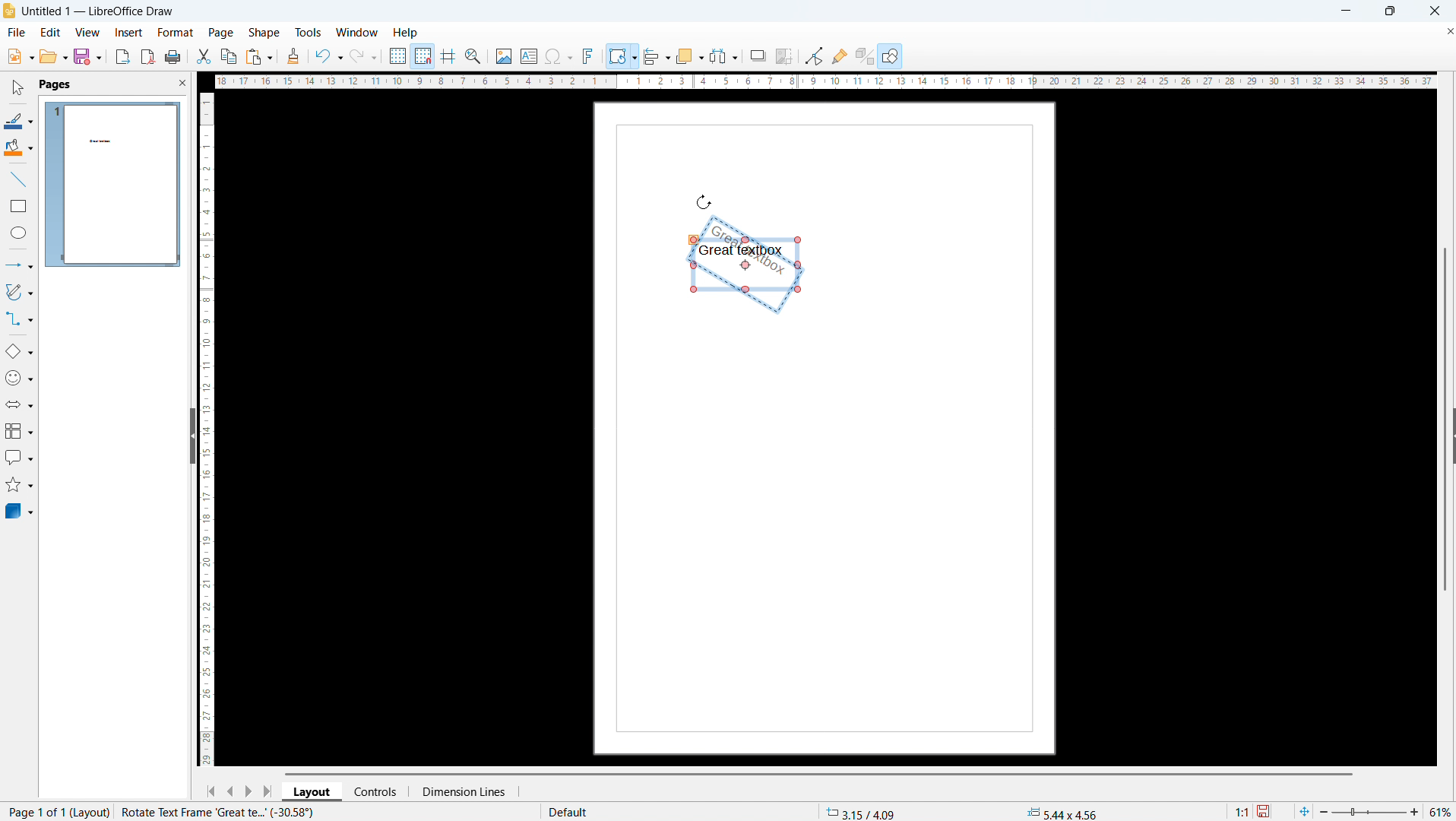 The image size is (1456, 821). What do you see at coordinates (128, 33) in the screenshot?
I see `insert` at bounding box center [128, 33].